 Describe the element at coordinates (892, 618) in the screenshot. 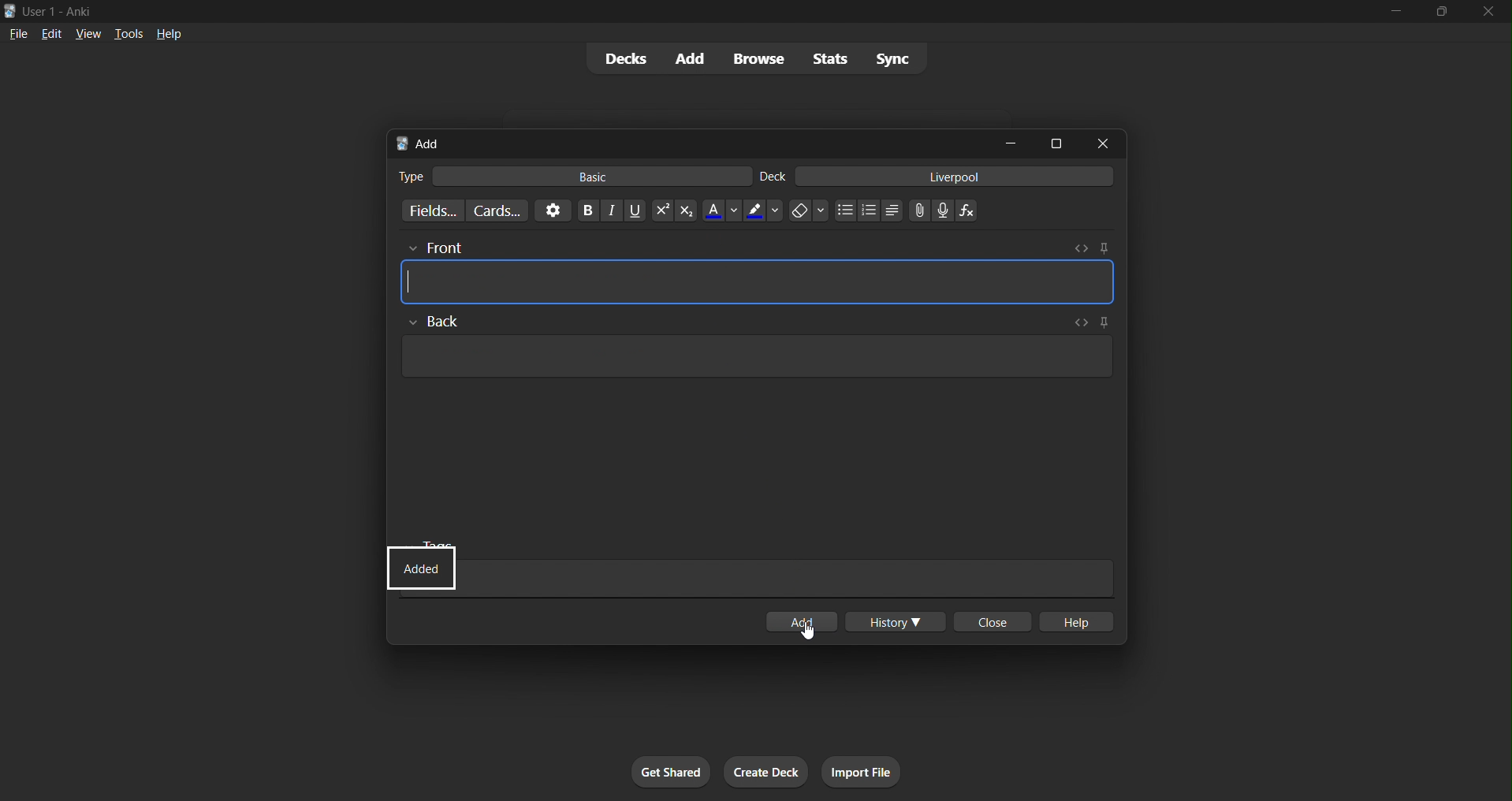

I see `history` at that location.